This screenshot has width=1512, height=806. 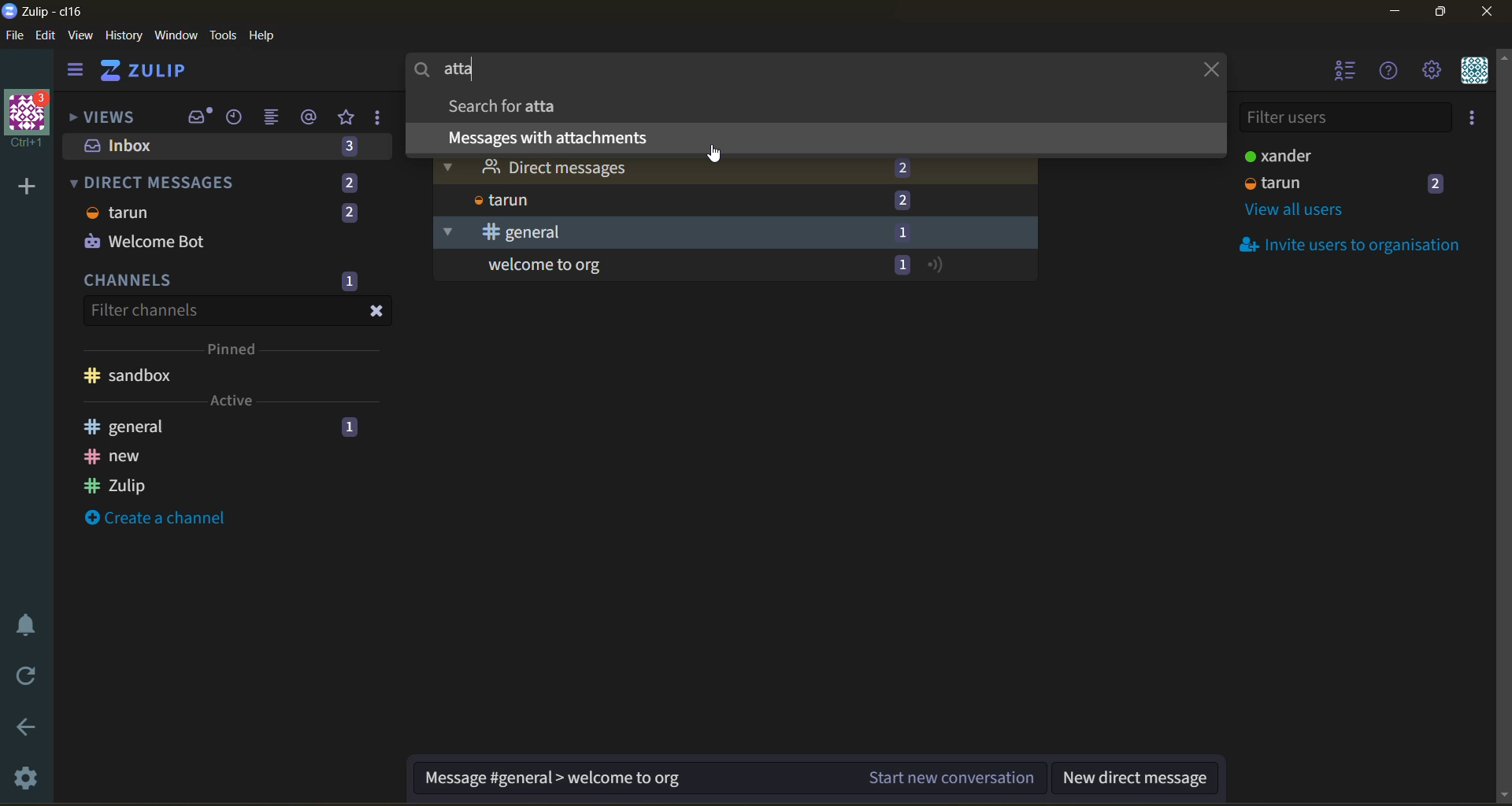 I want to click on 1, so click(x=350, y=427).